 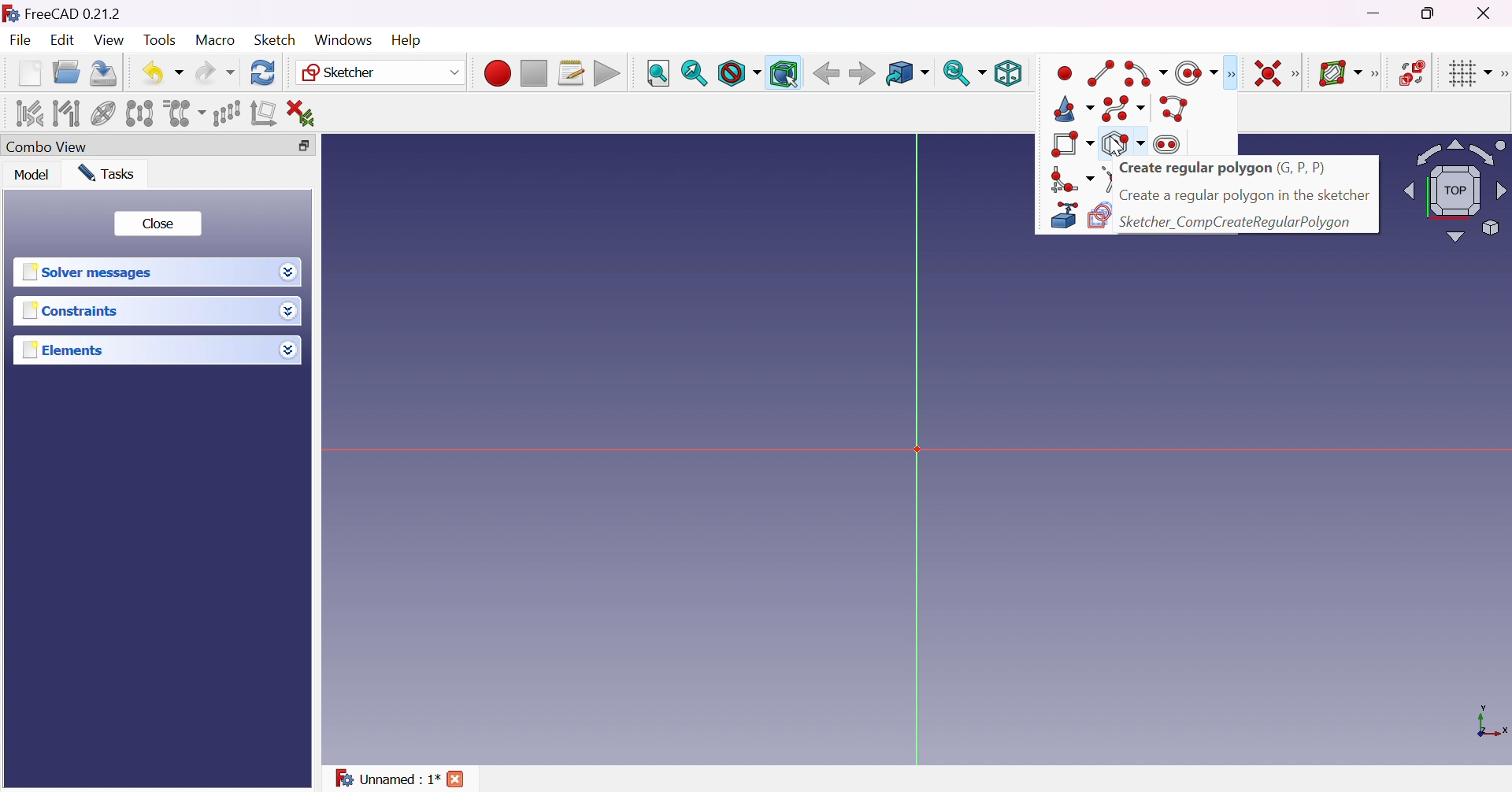 I want to click on Drop down, so click(x=292, y=313).